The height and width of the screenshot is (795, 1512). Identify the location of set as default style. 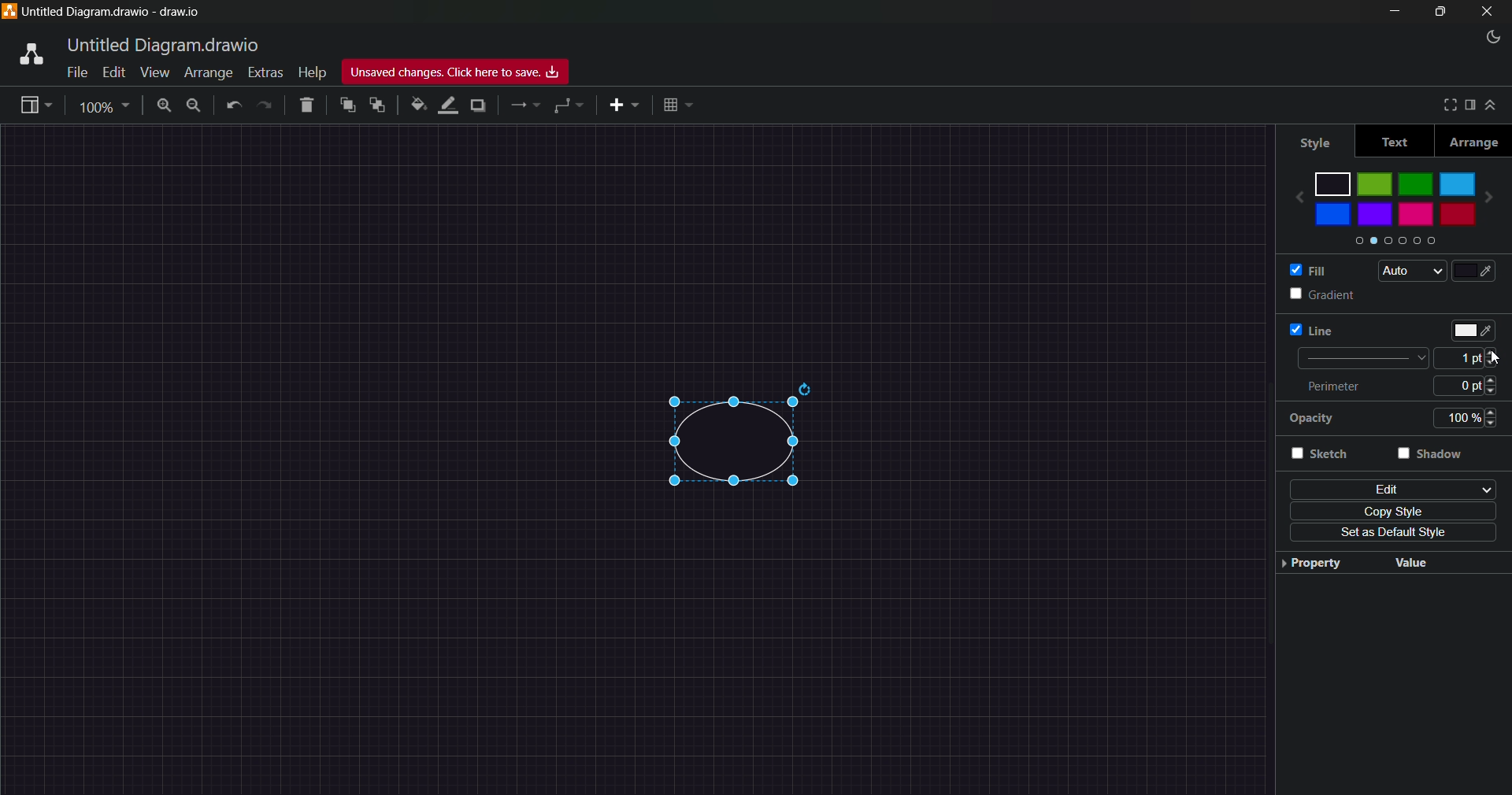
(1392, 534).